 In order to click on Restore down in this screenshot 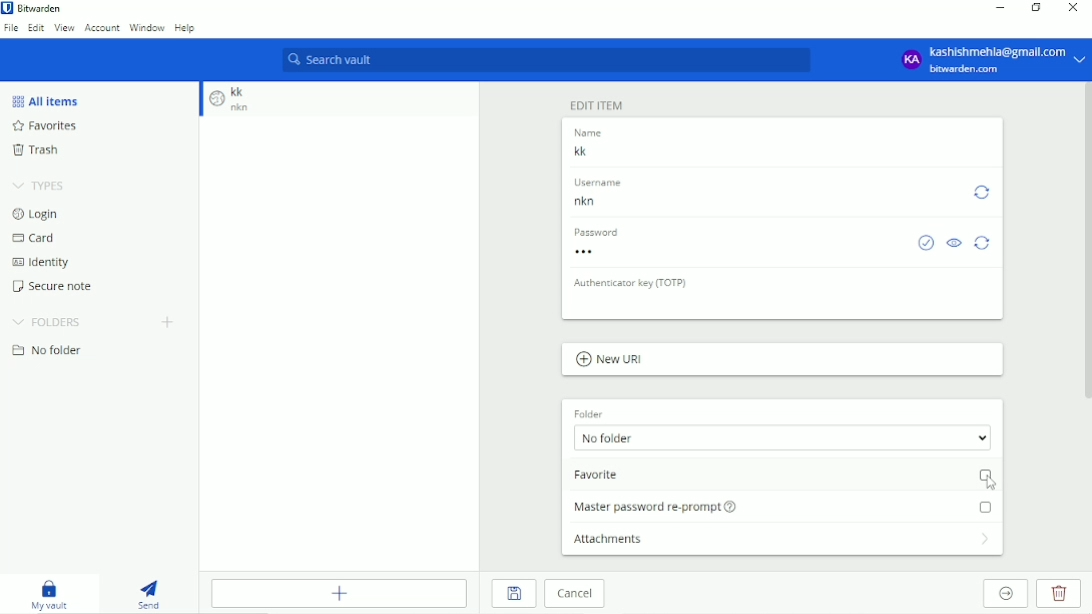, I will do `click(1038, 8)`.